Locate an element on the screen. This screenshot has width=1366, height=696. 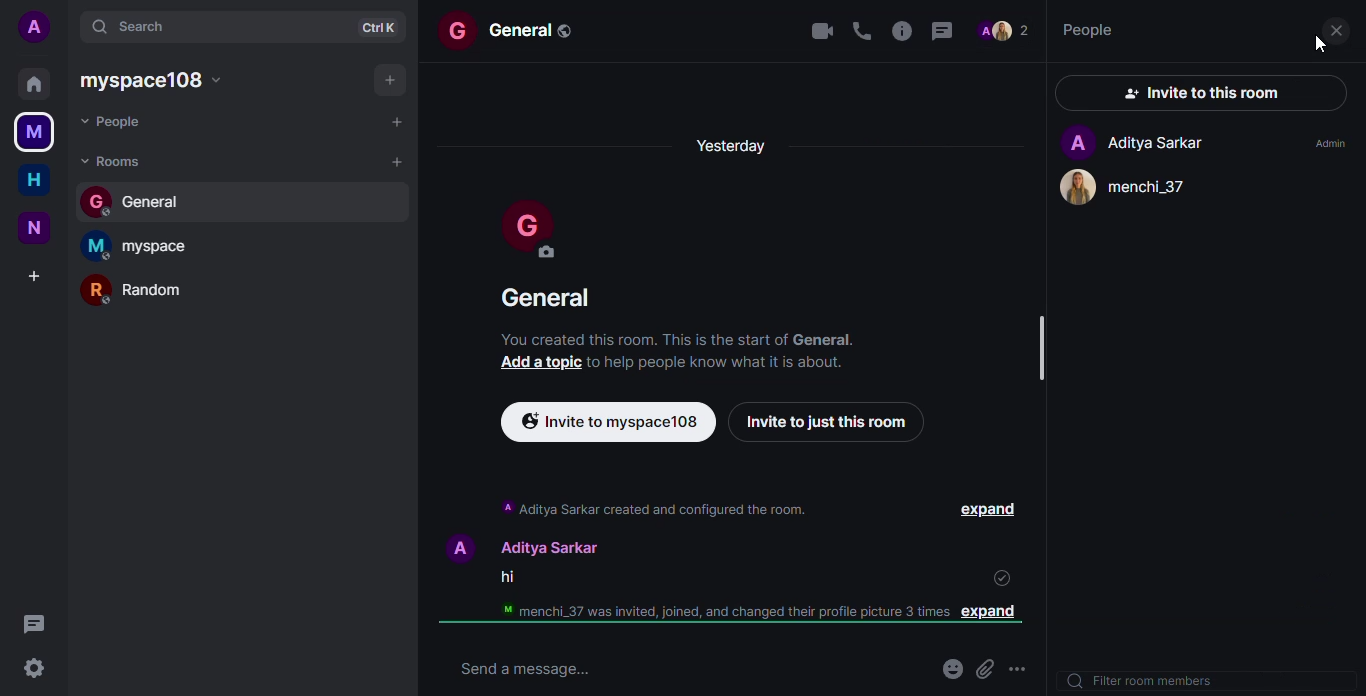
rooms is located at coordinates (123, 162).